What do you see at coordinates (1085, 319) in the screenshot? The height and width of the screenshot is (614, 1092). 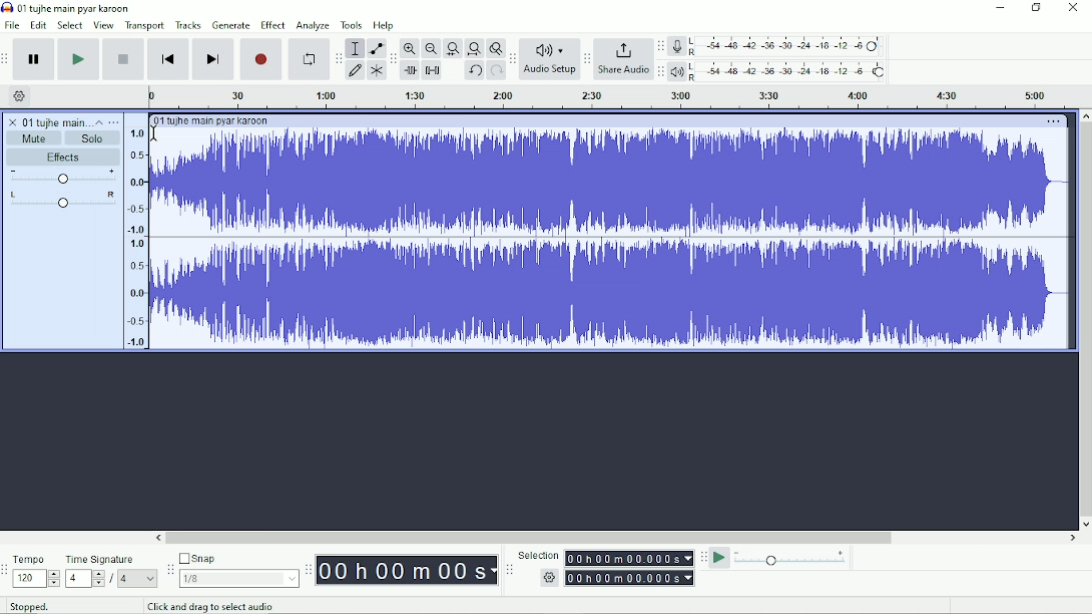 I see `Vertical scrollbar` at bounding box center [1085, 319].